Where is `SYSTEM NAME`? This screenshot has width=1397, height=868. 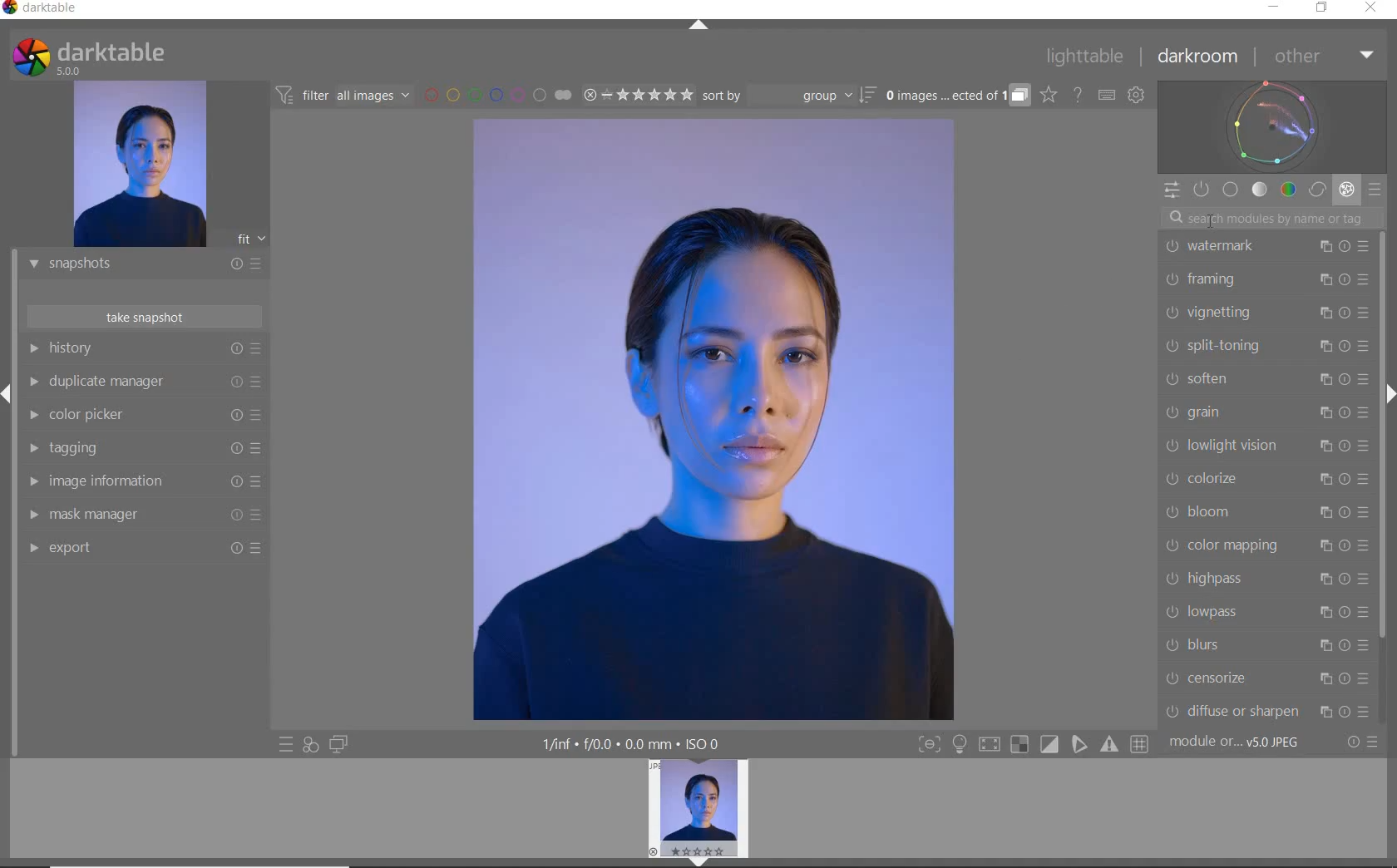 SYSTEM NAME is located at coordinates (43, 11).